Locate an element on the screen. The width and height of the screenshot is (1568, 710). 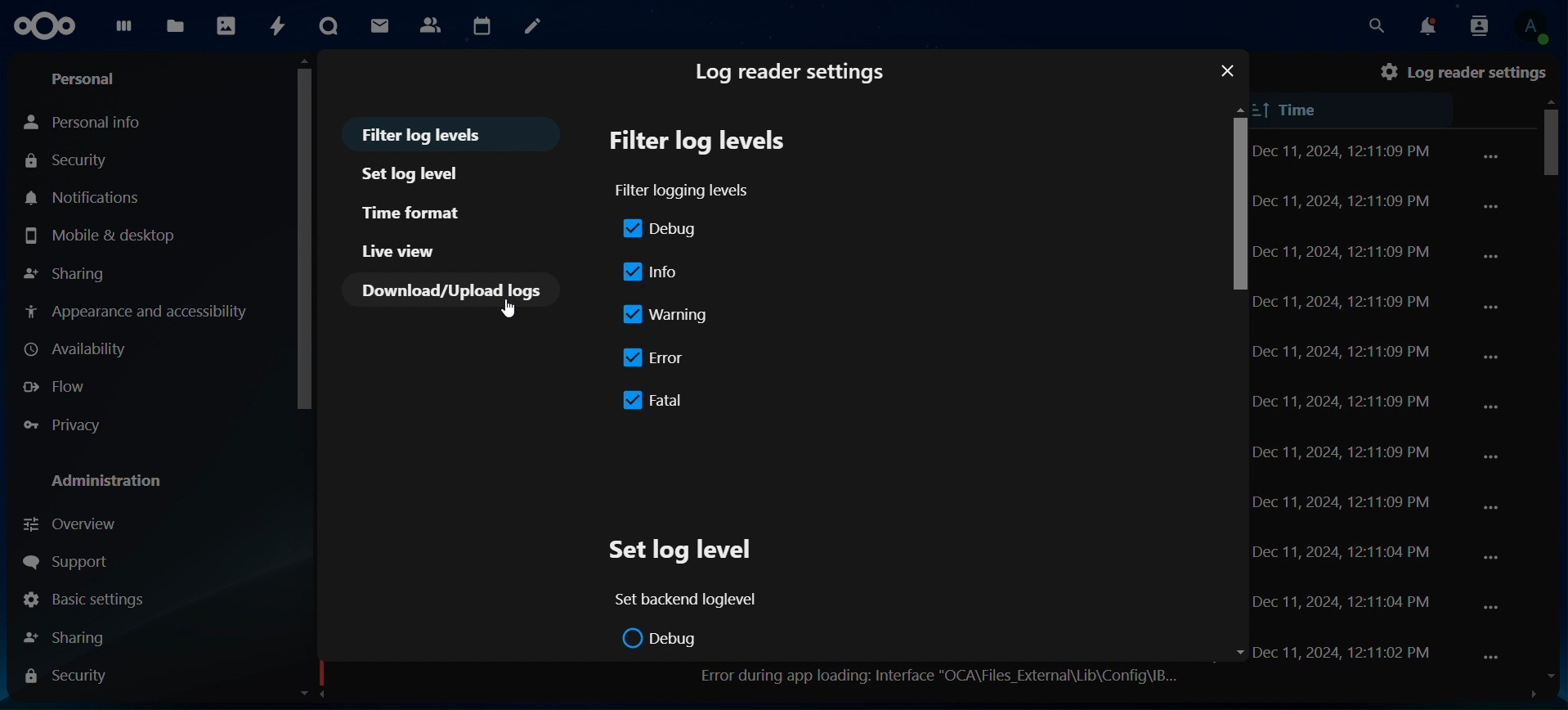
mail is located at coordinates (379, 26).